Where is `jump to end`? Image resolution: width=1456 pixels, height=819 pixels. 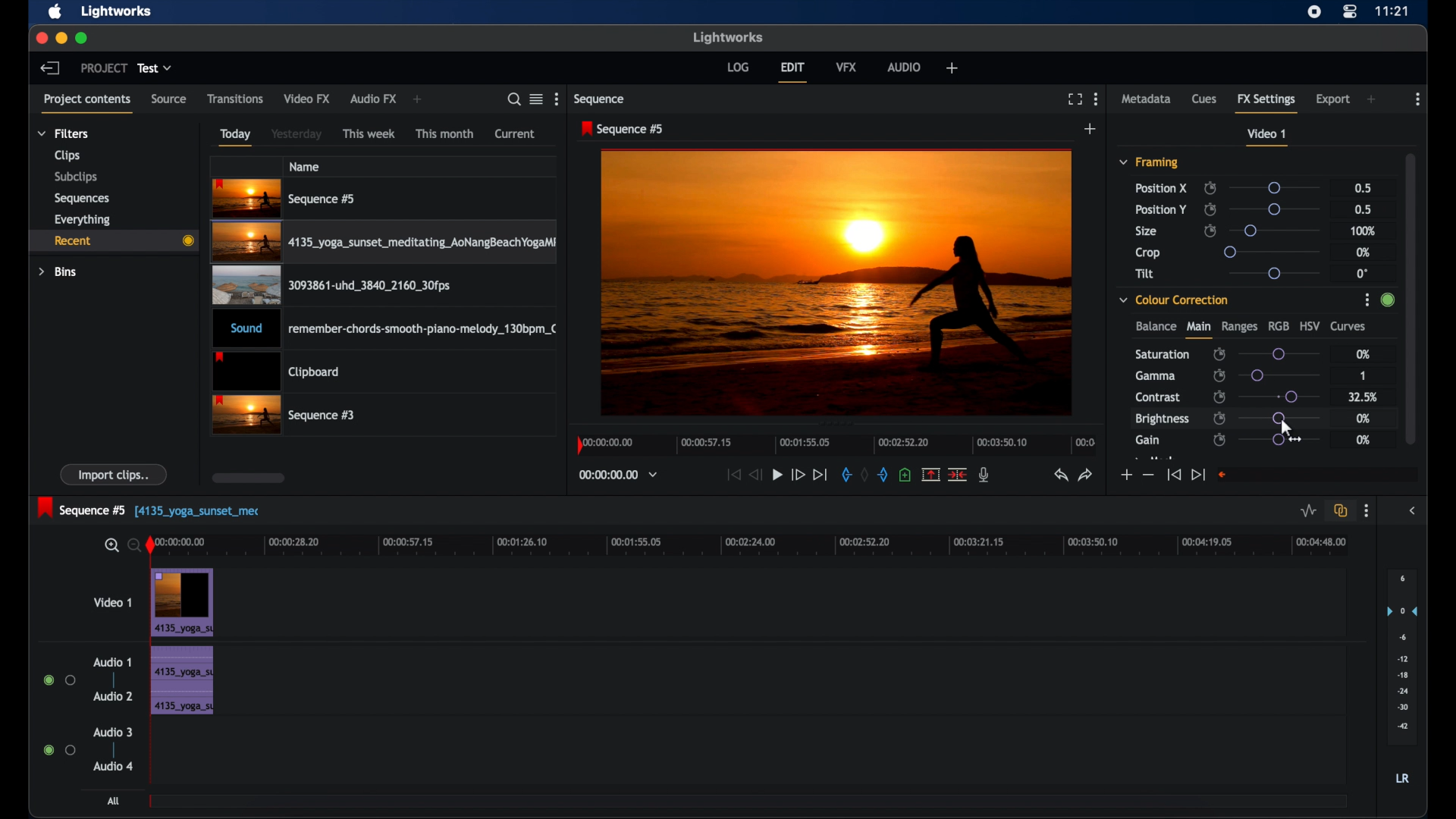
jump to end is located at coordinates (820, 475).